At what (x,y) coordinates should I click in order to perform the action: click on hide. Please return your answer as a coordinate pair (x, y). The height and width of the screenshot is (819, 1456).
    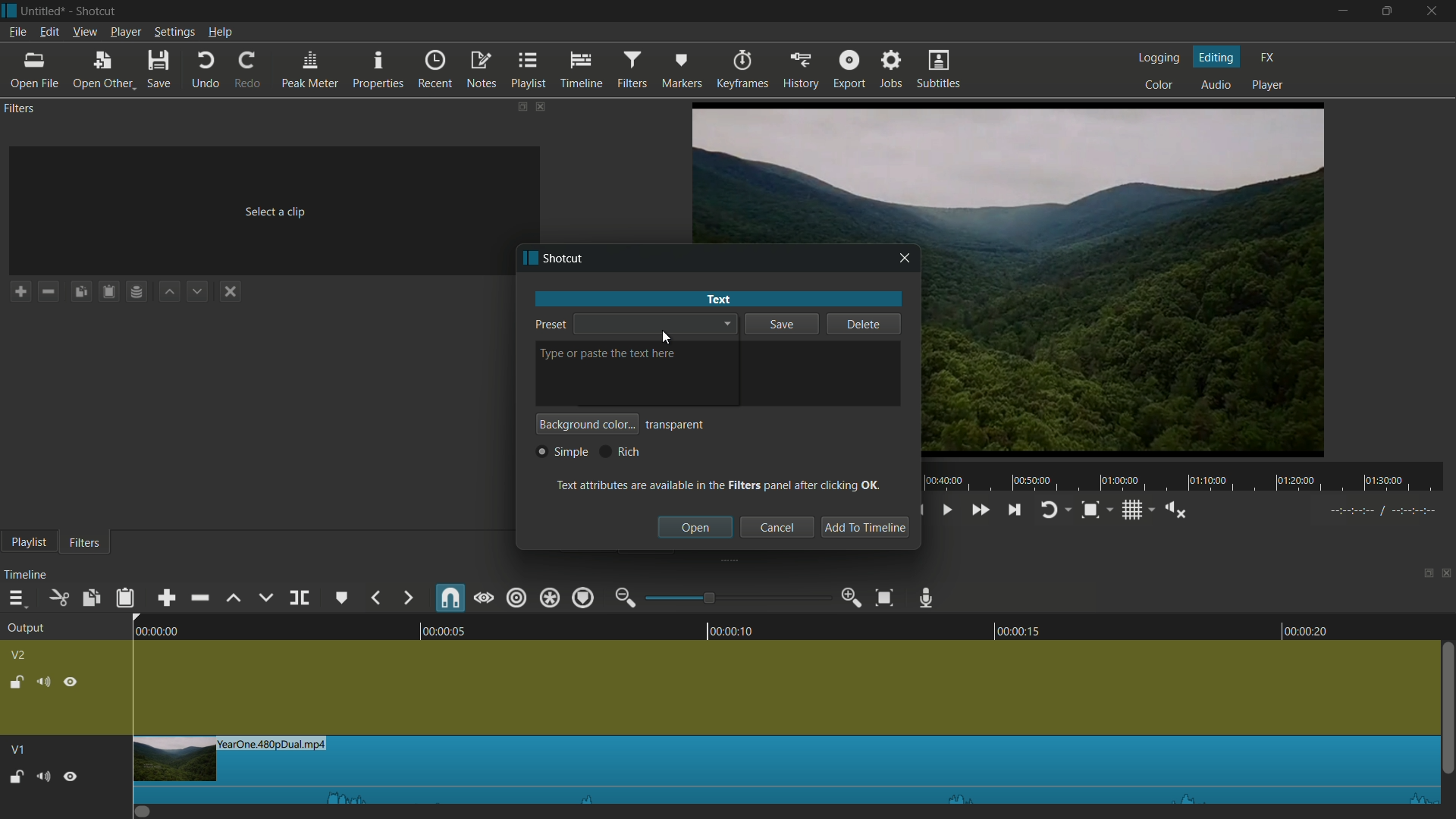
    Looking at the image, I should click on (72, 680).